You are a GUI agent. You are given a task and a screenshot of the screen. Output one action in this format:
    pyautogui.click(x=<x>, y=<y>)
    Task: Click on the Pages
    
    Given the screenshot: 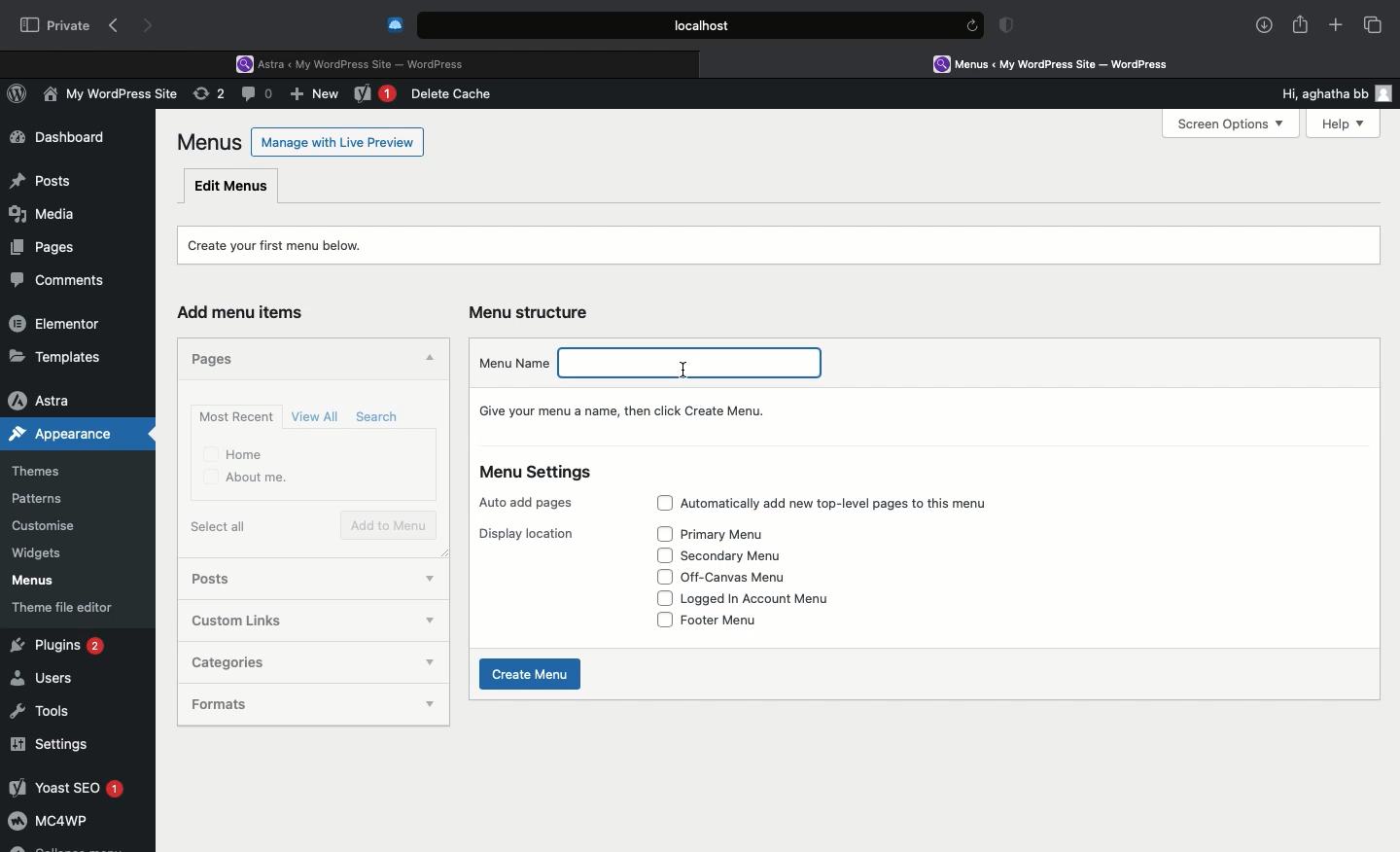 What is the action you would take?
    pyautogui.click(x=39, y=246)
    